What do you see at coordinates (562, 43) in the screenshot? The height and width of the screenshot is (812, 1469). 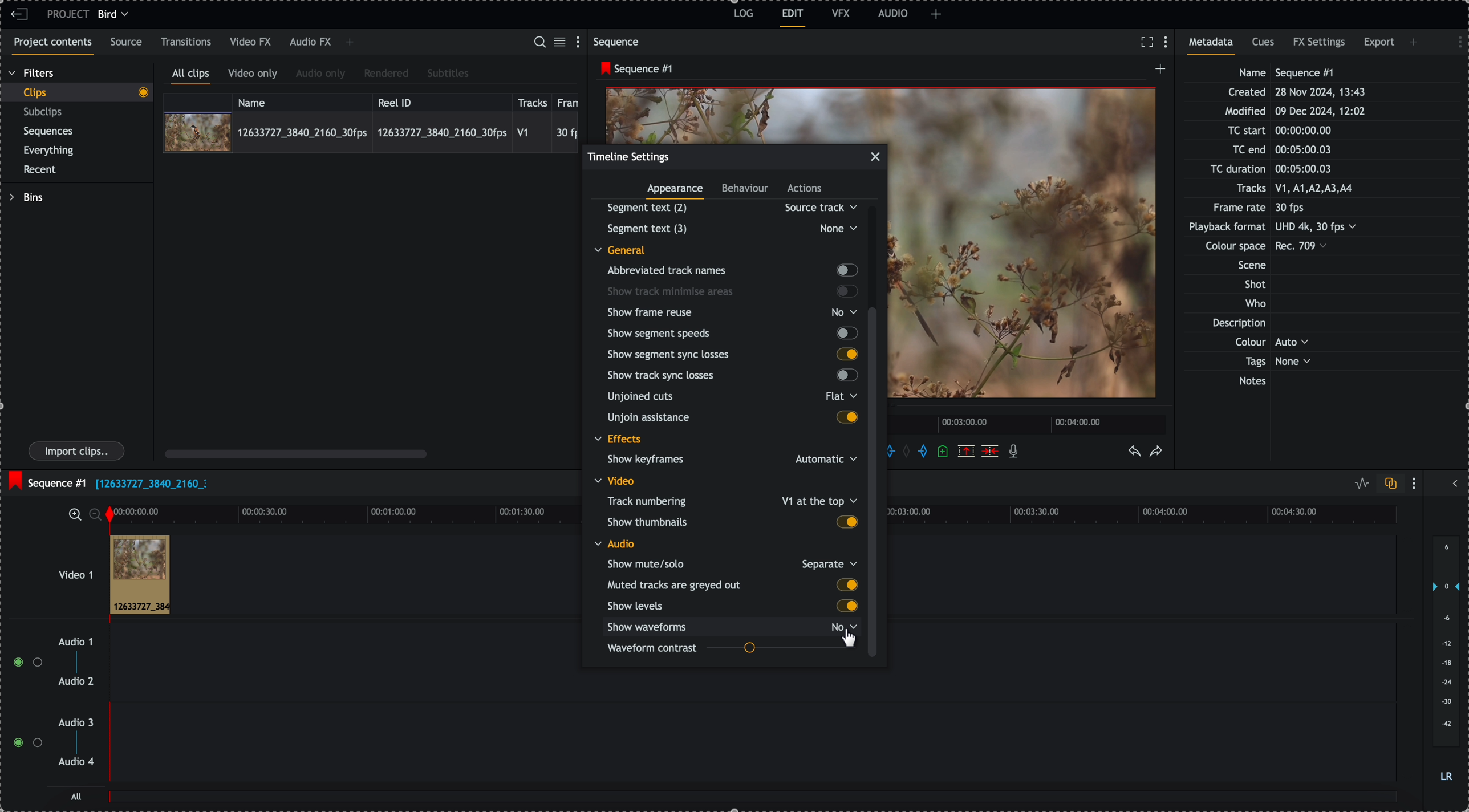 I see `toggle between list and tile view` at bounding box center [562, 43].